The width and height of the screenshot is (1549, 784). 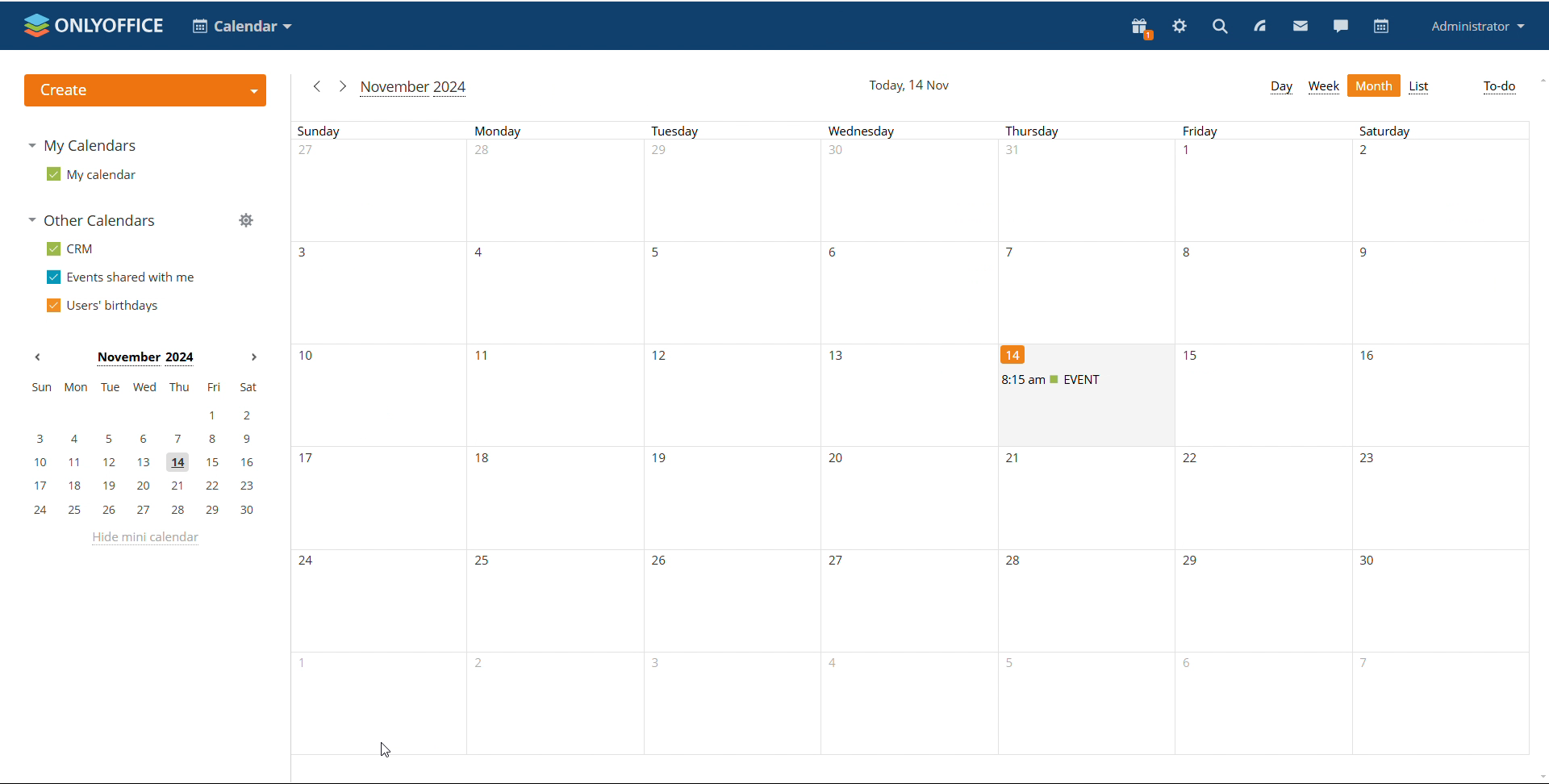 What do you see at coordinates (1475, 27) in the screenshot?
I see `profile` at bounding box center [1475, 27].